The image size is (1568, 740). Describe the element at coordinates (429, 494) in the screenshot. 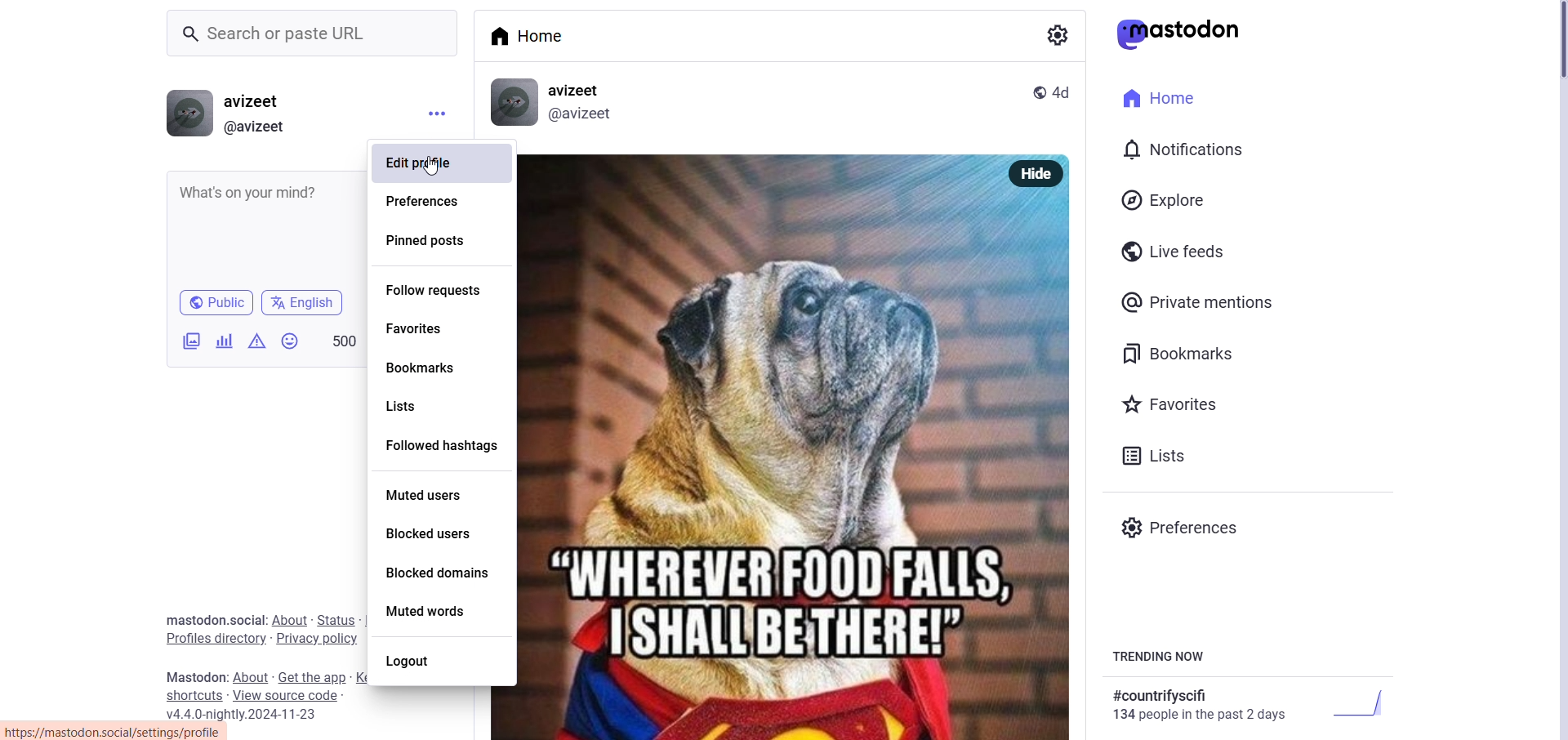

I see `muted users` at that location.